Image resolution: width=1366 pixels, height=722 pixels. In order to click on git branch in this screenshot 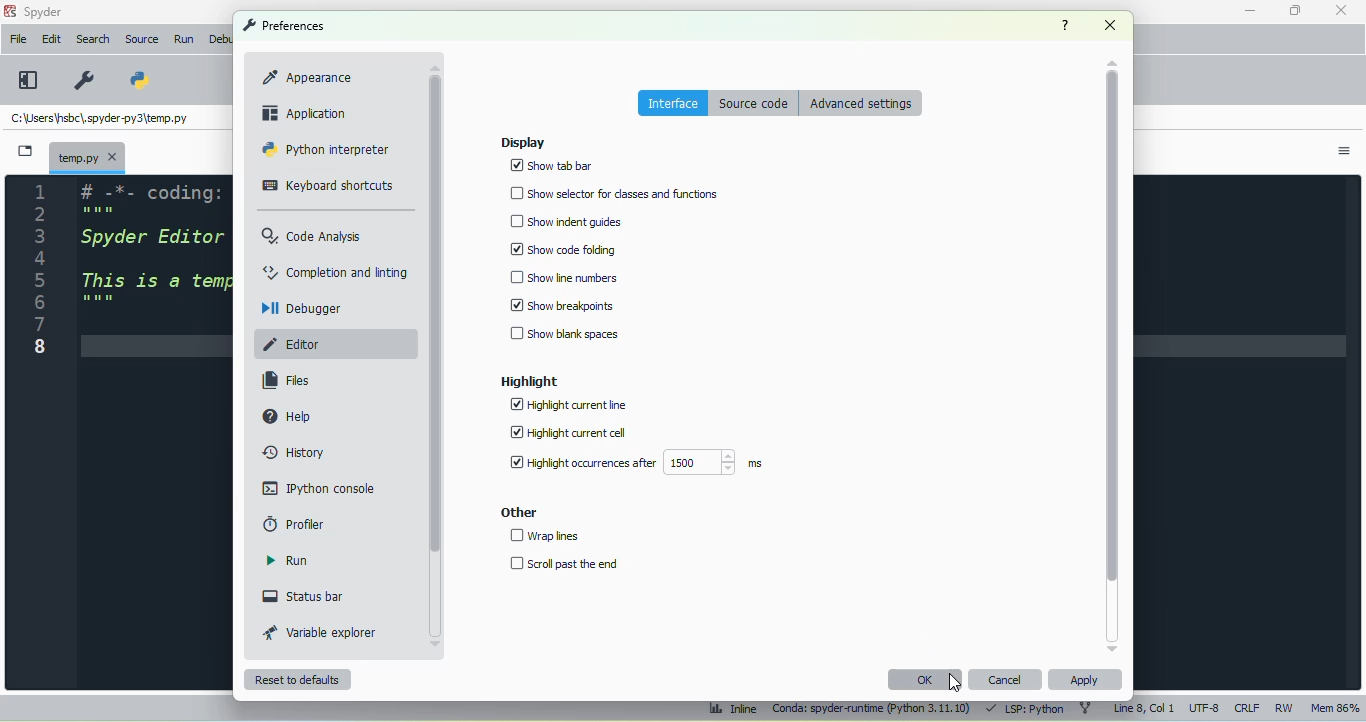, I will do `click(1089, 709)`.